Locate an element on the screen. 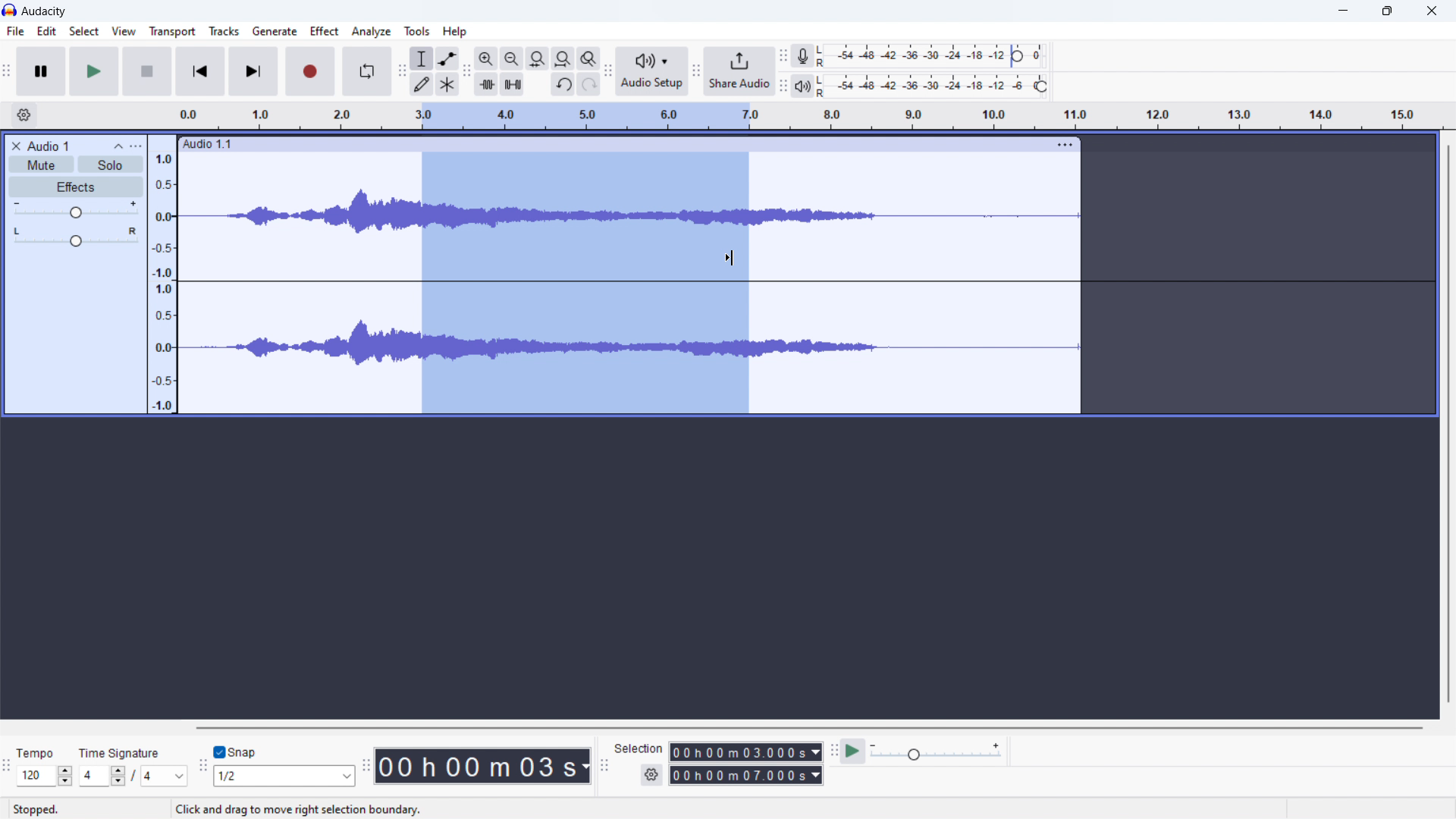 This screenshot has width=1456, height=819. record is located at coordinates (309, 72).